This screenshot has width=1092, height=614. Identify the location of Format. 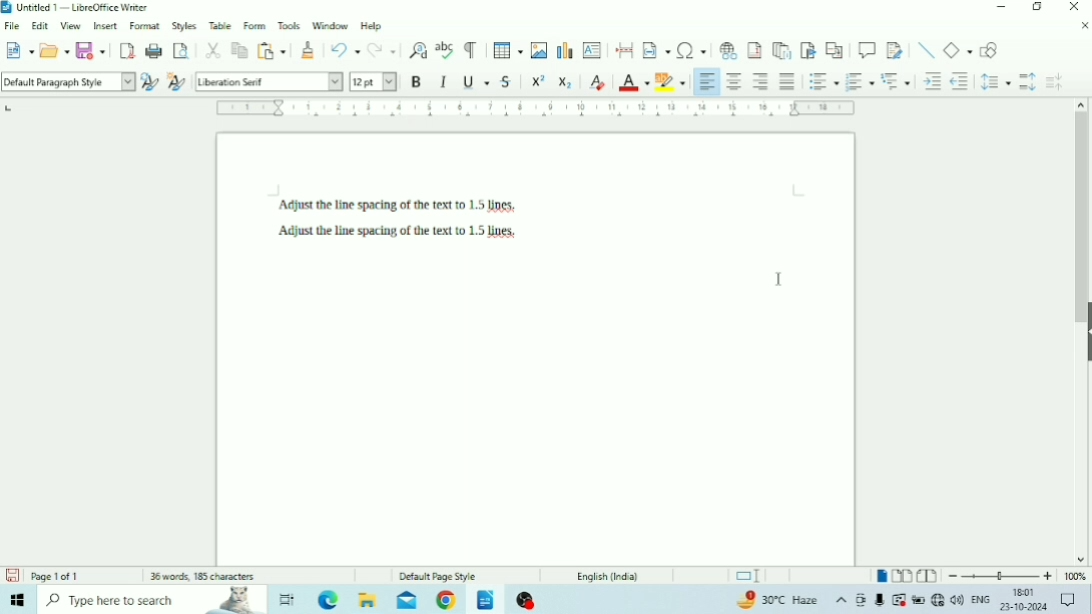
(145, 25).